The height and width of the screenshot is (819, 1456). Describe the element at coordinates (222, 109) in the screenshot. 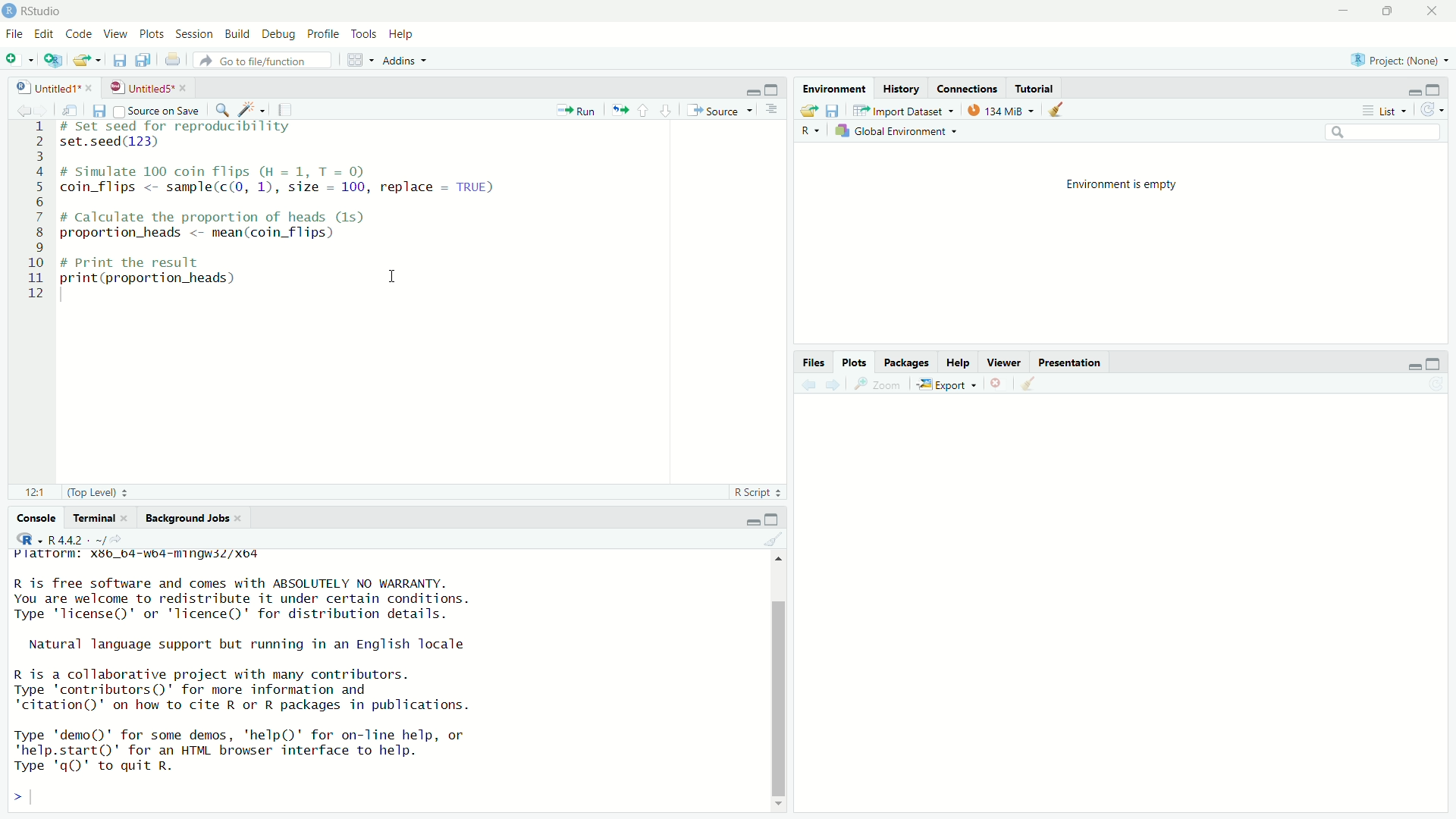

I see `find/replace` at that location.